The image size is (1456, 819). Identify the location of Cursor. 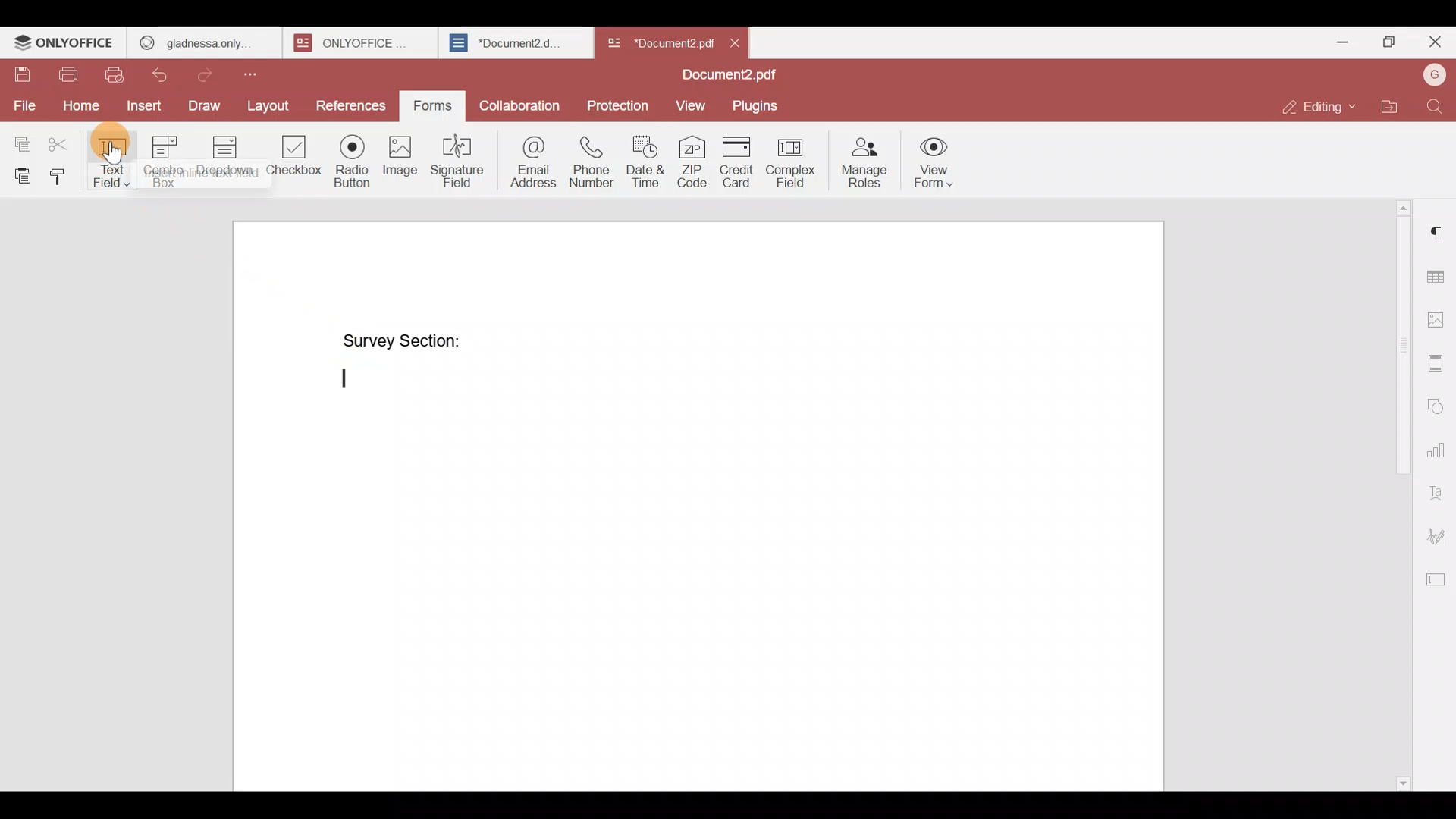
(115, 149).